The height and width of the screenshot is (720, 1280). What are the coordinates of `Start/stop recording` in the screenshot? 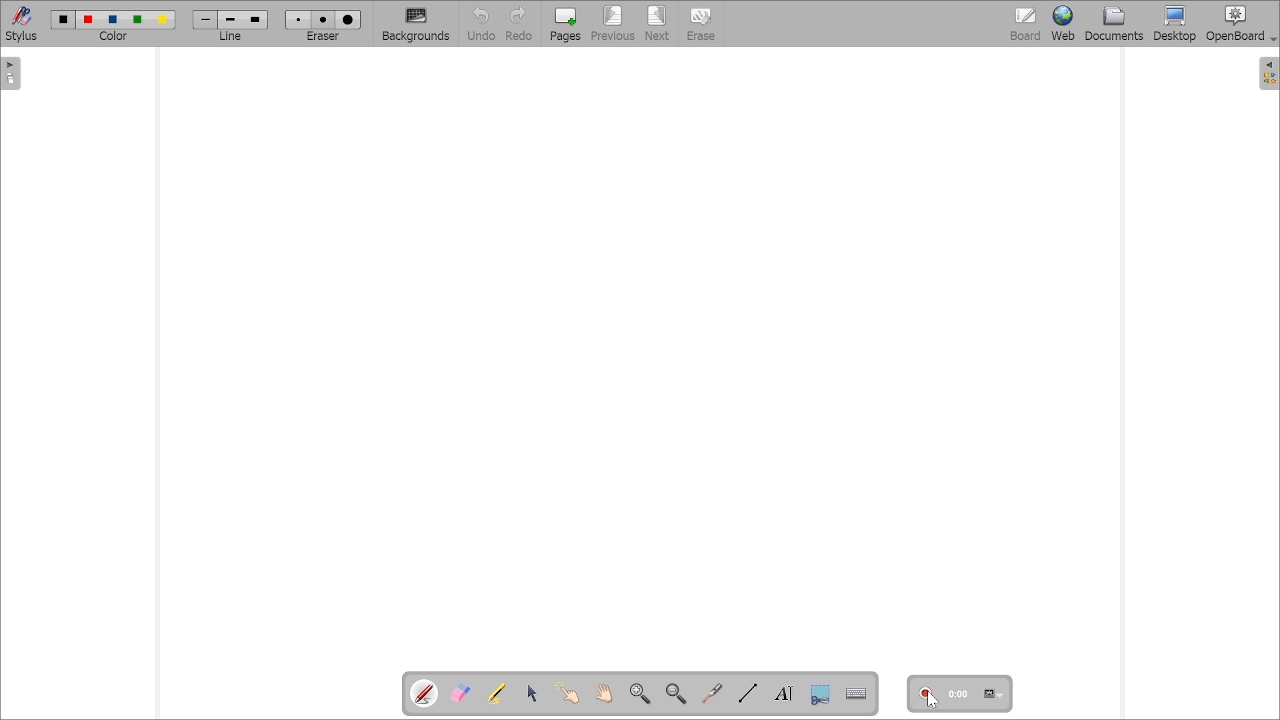 It's located at (926, 695).